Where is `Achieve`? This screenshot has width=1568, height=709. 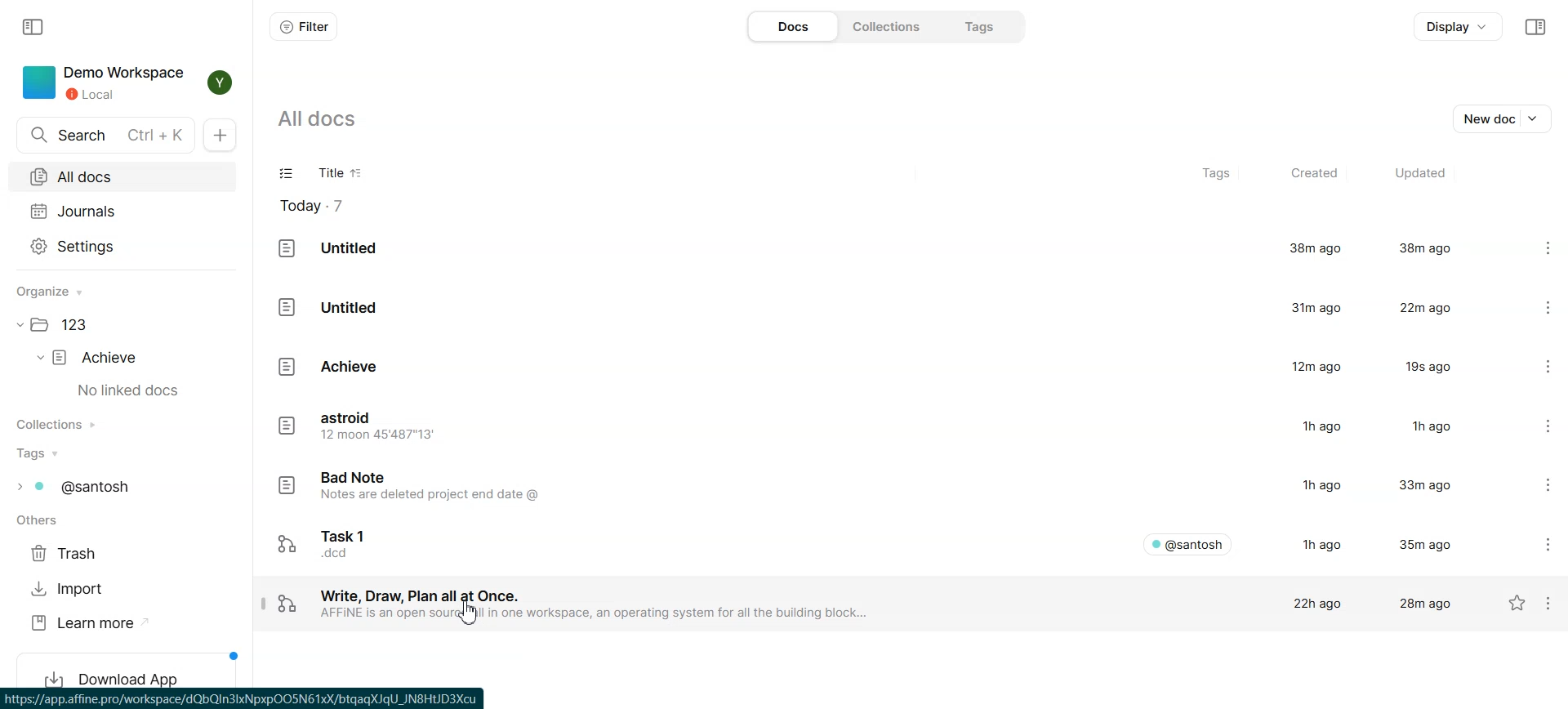 Achieve is located at coordinates (98, 358).